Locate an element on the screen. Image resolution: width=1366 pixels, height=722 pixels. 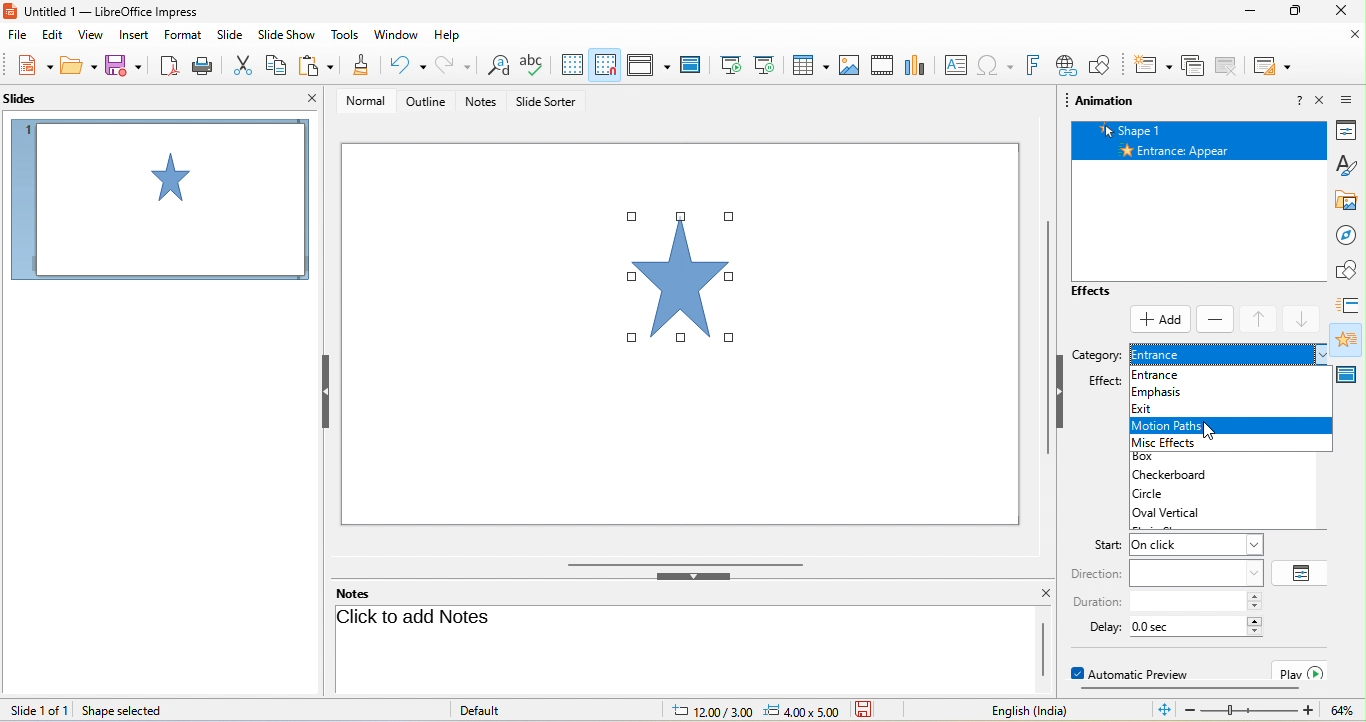
special character is located at coordinates (994, 65).